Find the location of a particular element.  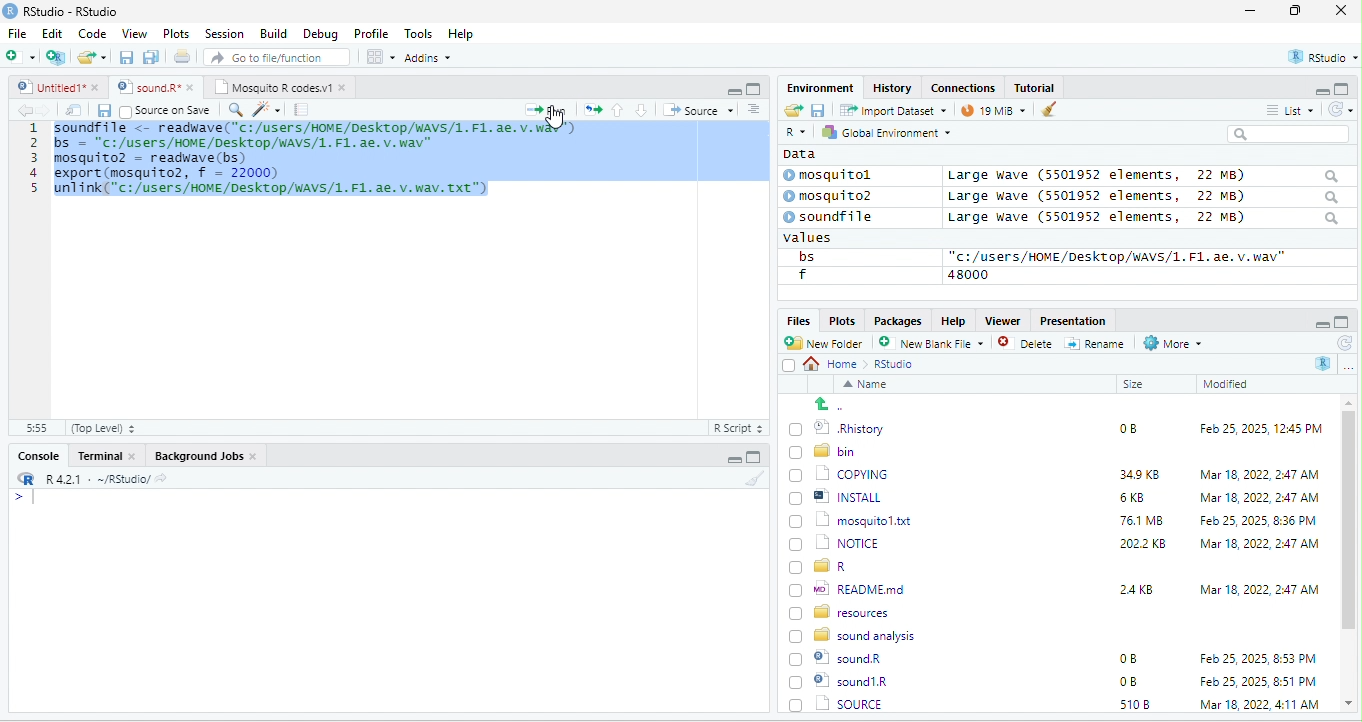

wo| READMEmd is located at coordinates (852, 588).